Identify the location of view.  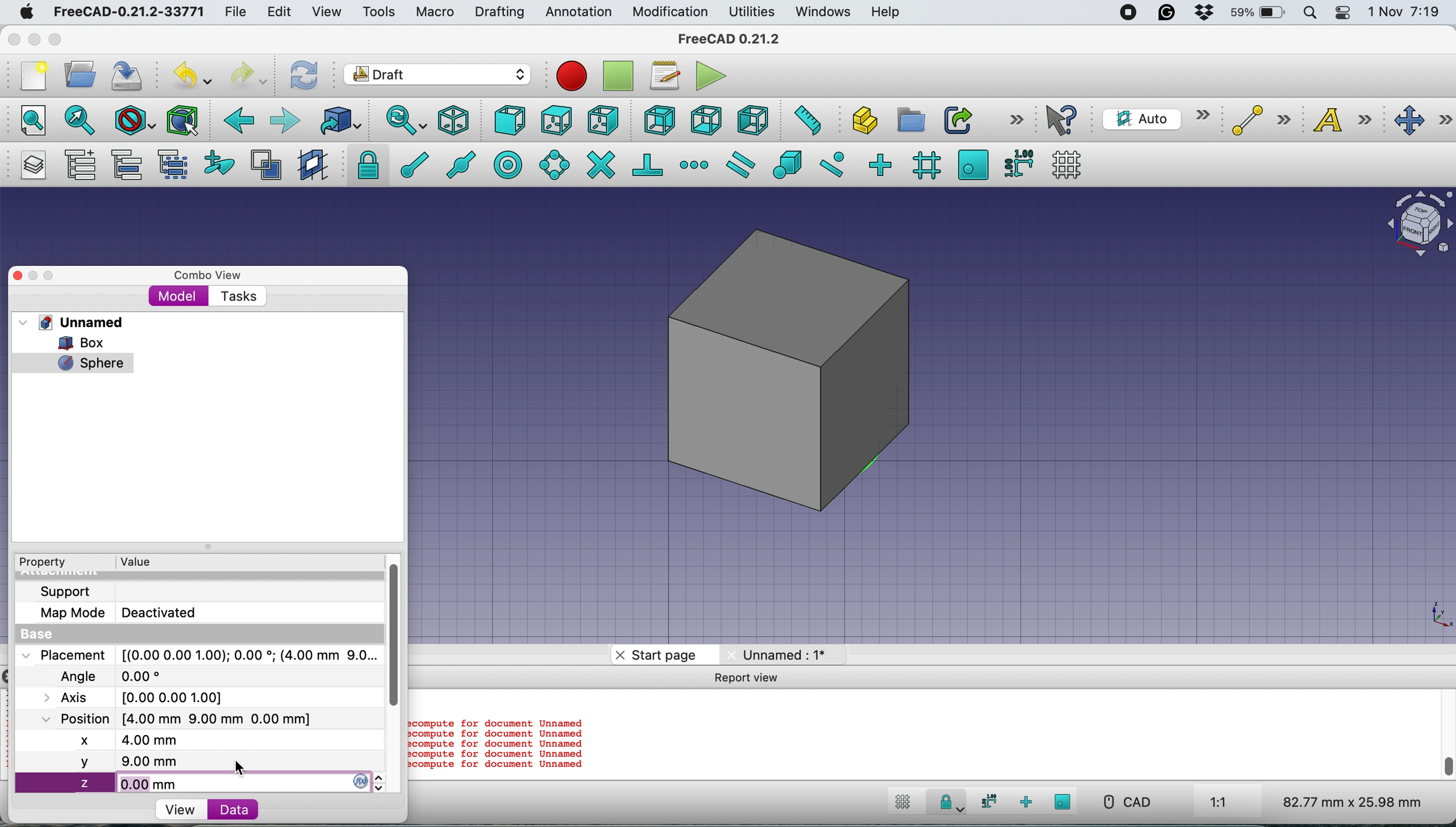
(180, 810).